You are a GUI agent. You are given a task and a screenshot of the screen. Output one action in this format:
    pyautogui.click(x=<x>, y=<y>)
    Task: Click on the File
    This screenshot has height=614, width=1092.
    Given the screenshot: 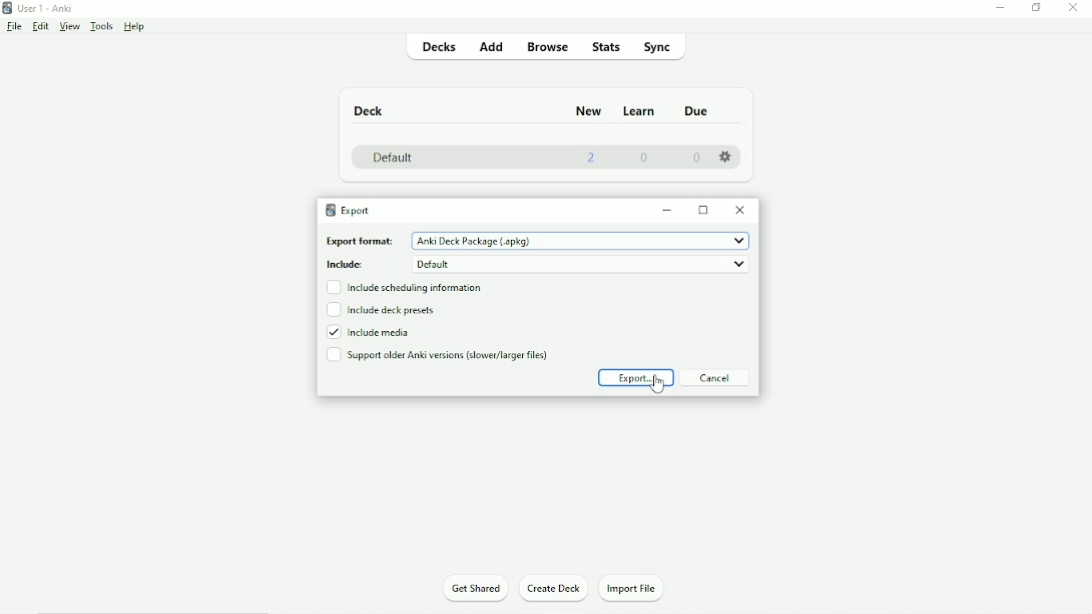 What is the action you would take?
    pyautogui.click(x=14, y=27)
    